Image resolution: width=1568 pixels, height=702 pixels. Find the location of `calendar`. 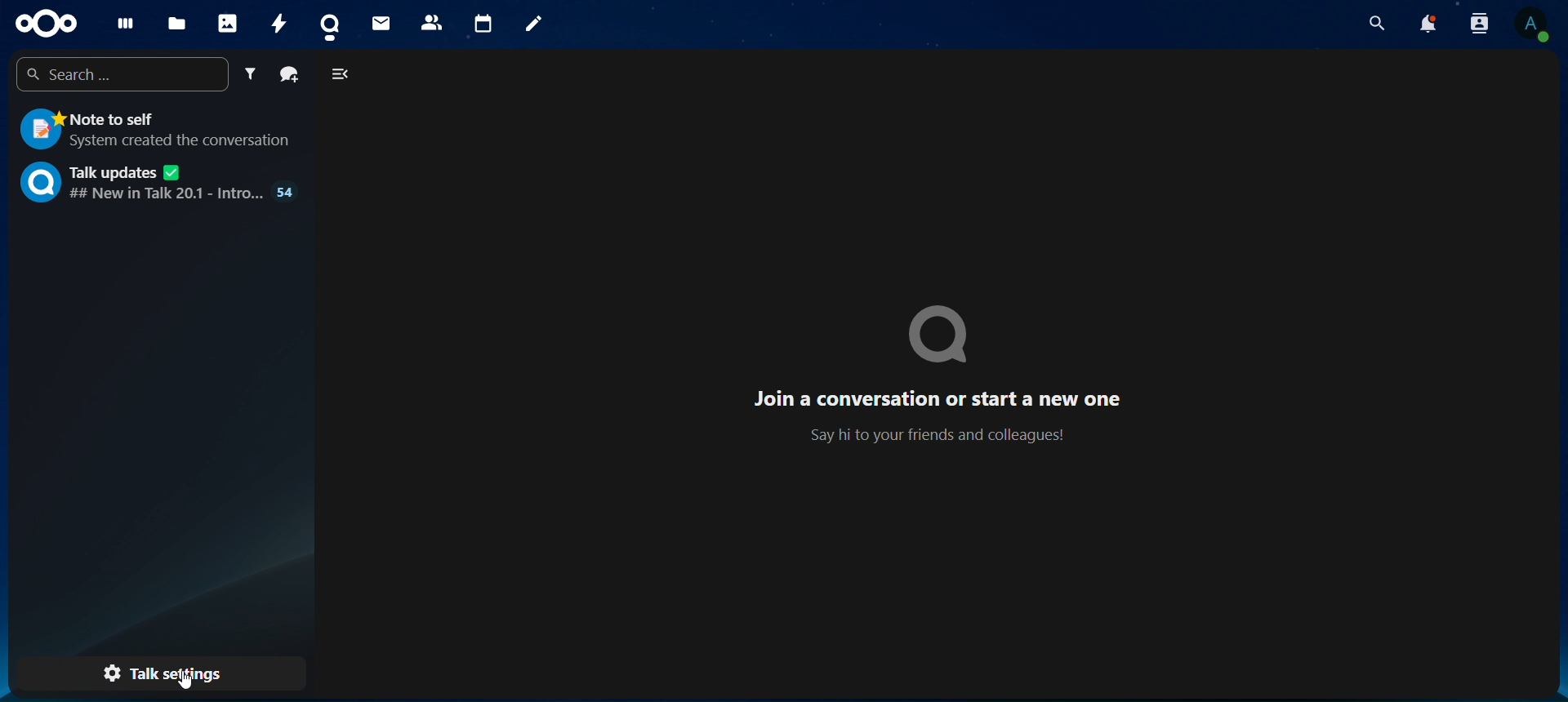

calendar is located at coordinates (482, 20).